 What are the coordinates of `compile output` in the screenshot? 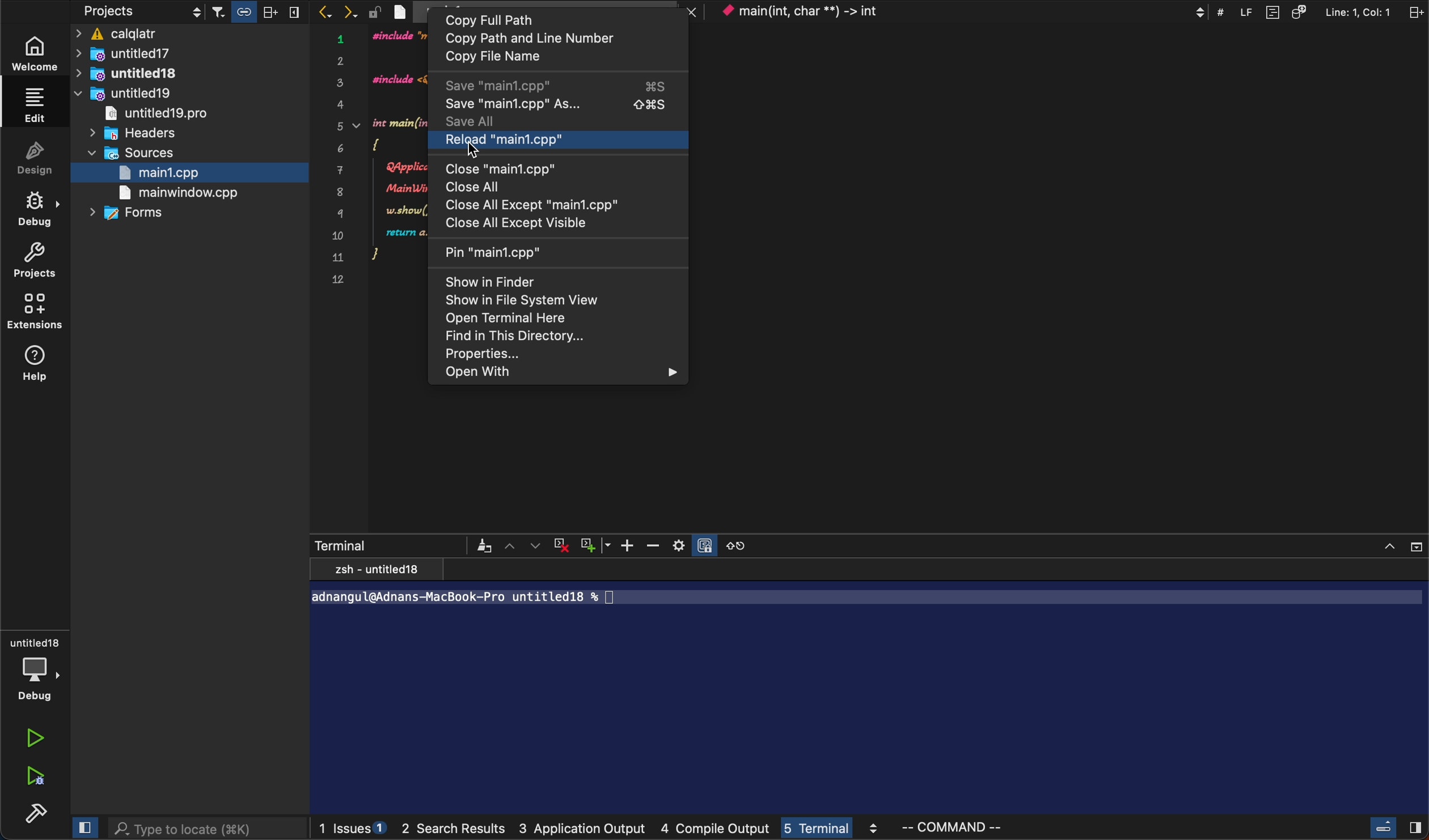 It's located at (719, 830).